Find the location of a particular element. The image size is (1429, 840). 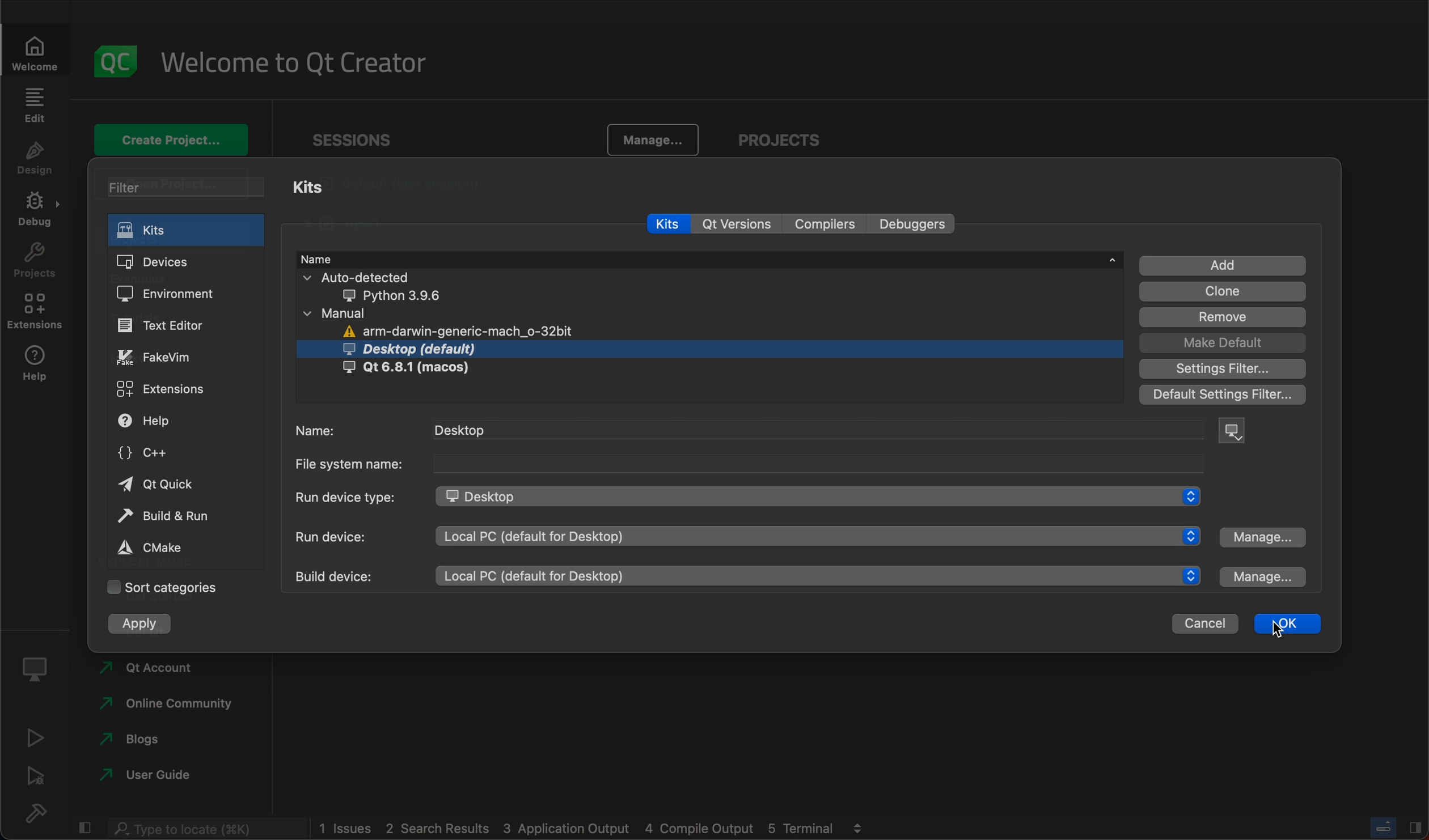

arm-darwin-generic-mach_o-32bit is located at coordinates (458, 332).